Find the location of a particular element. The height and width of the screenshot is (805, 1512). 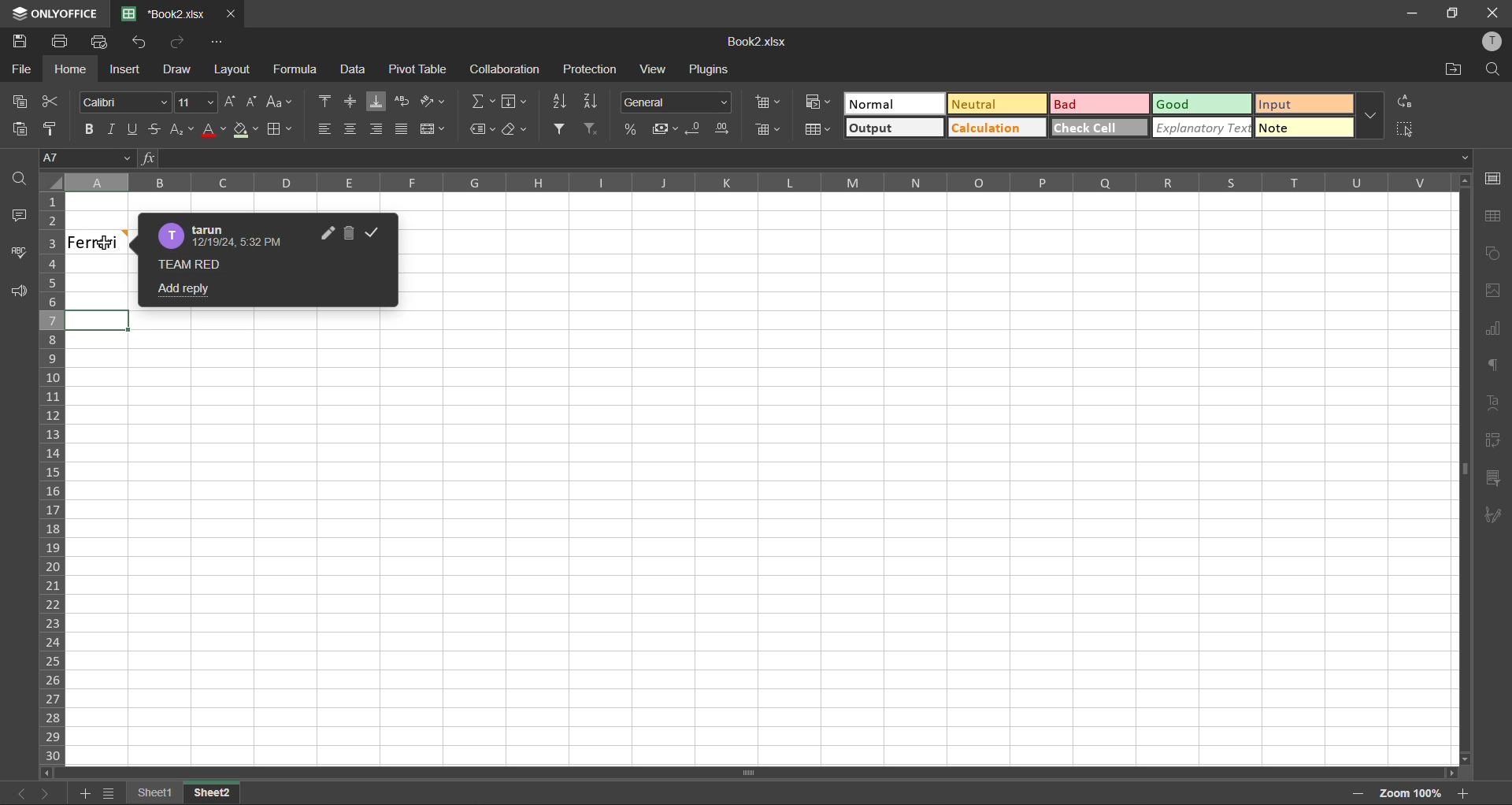

next is located at coordinates (46, 791).